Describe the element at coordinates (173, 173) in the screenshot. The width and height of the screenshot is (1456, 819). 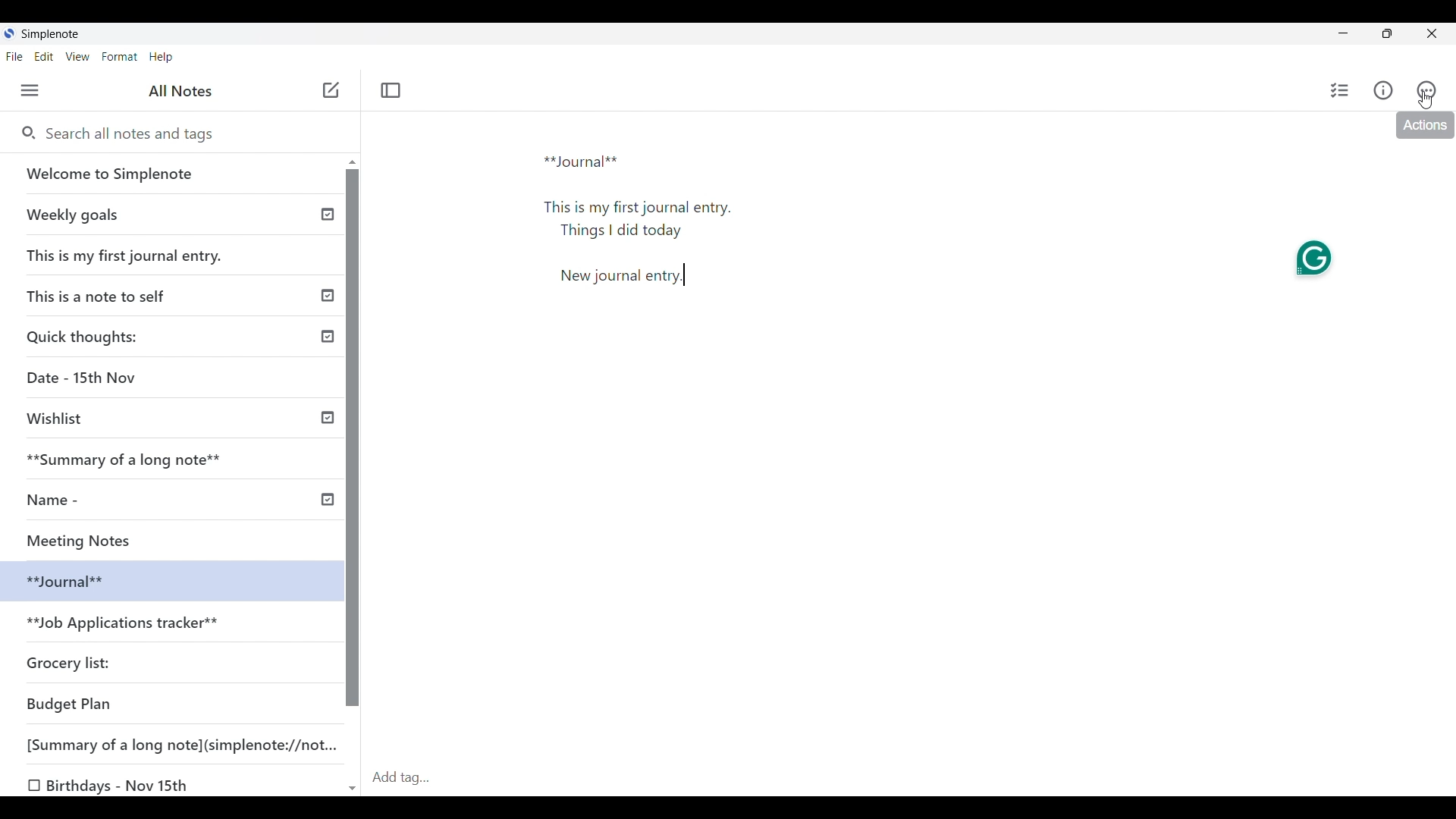
I see `Welcome note by SimpleNote` at that location.